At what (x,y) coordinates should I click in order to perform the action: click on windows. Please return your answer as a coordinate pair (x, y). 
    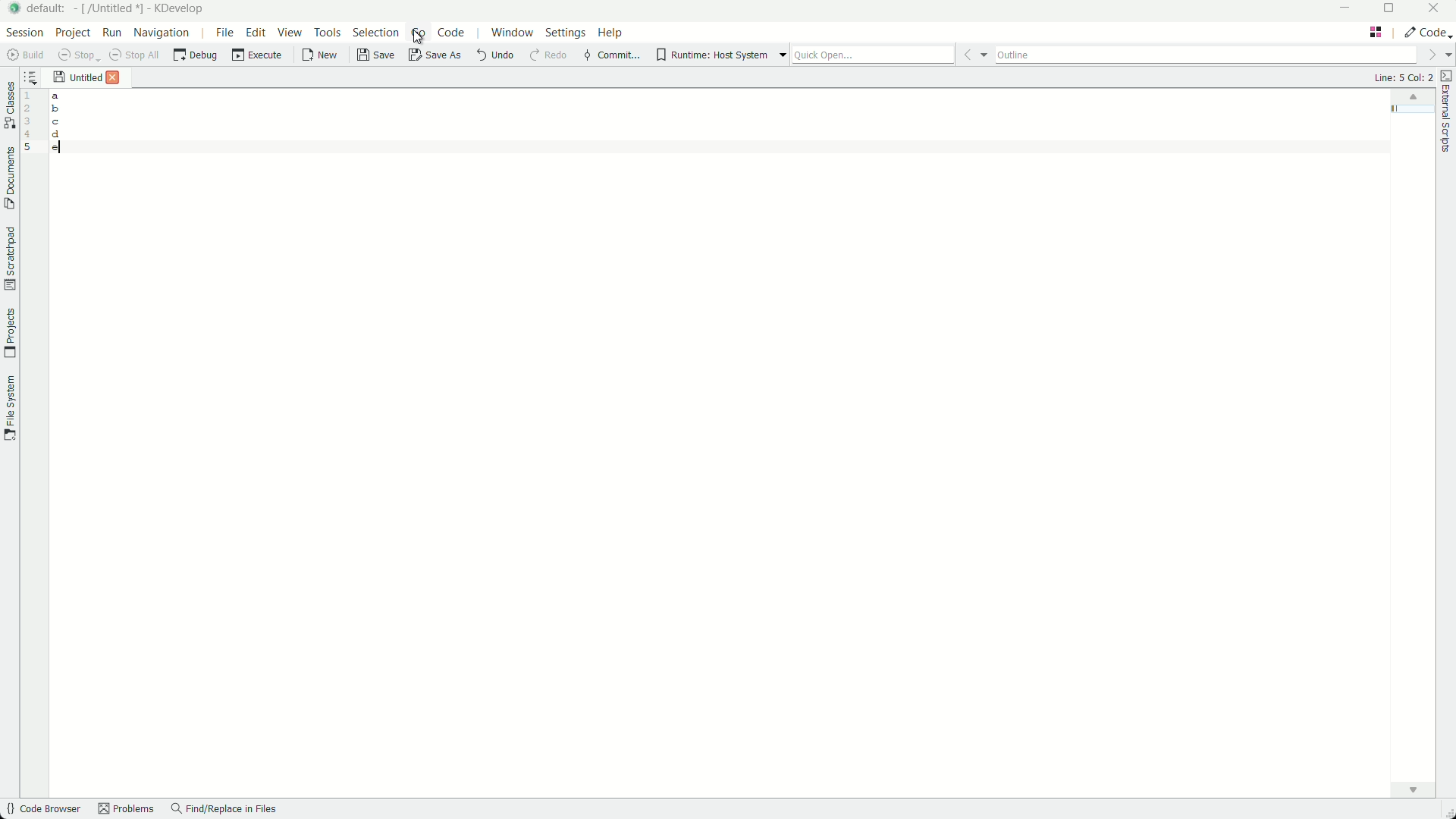
    Looking at the image, I should click on (510, 35).